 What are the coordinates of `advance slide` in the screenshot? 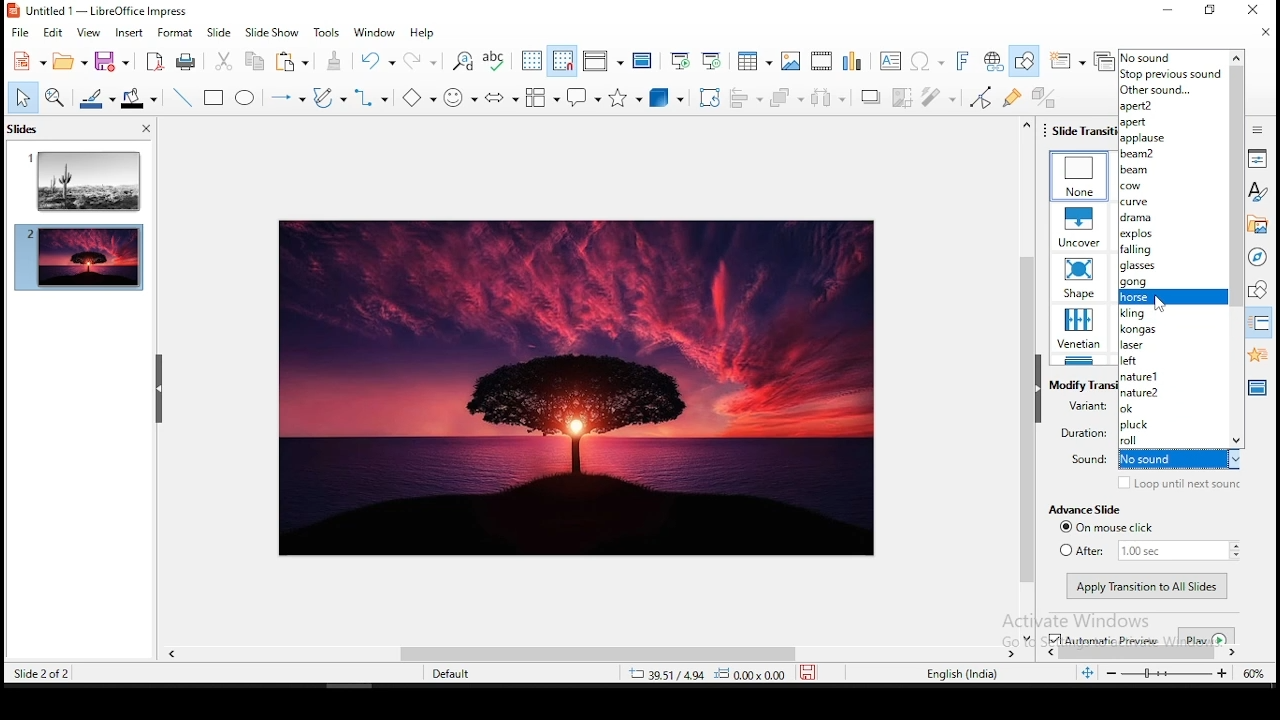 It's located at (1083, 510).